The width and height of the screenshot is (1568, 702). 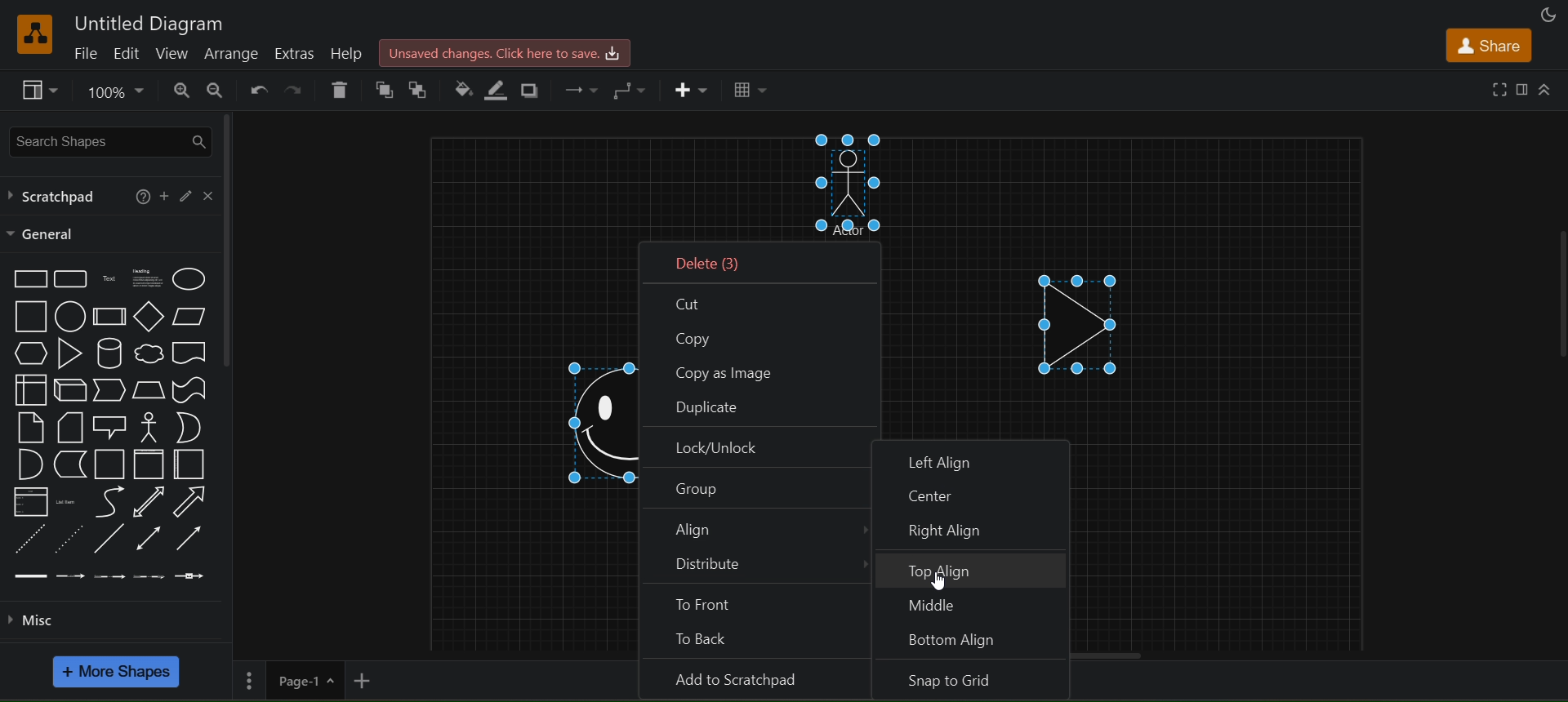 What do you see at coordinates (758, 641) in the screenshot?
I see `to back` at bounding box center [758, 641].